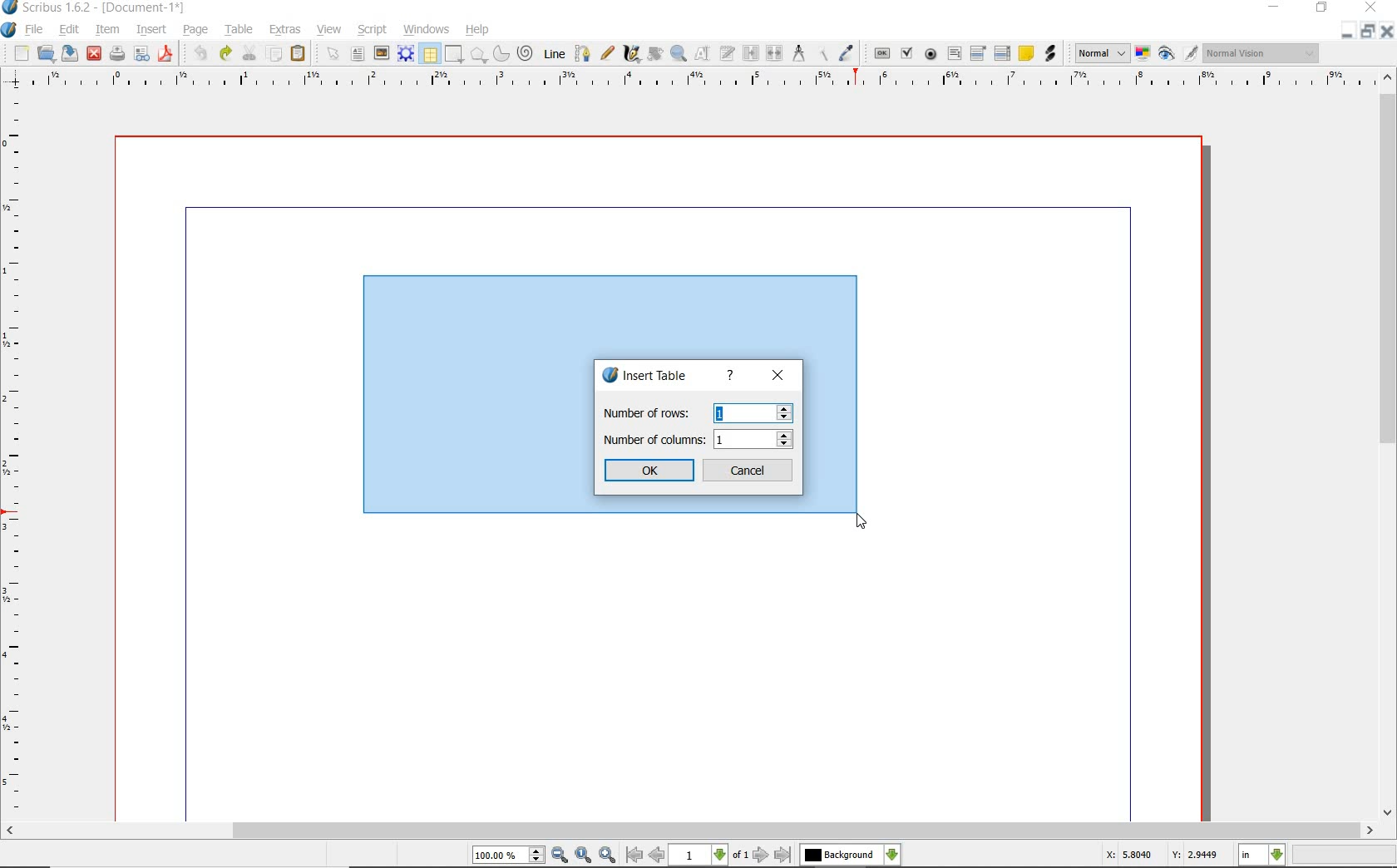 Image resolution: width=1397 pixels, height=868 pixels. I want to click on minimize, so click(1345, 32).